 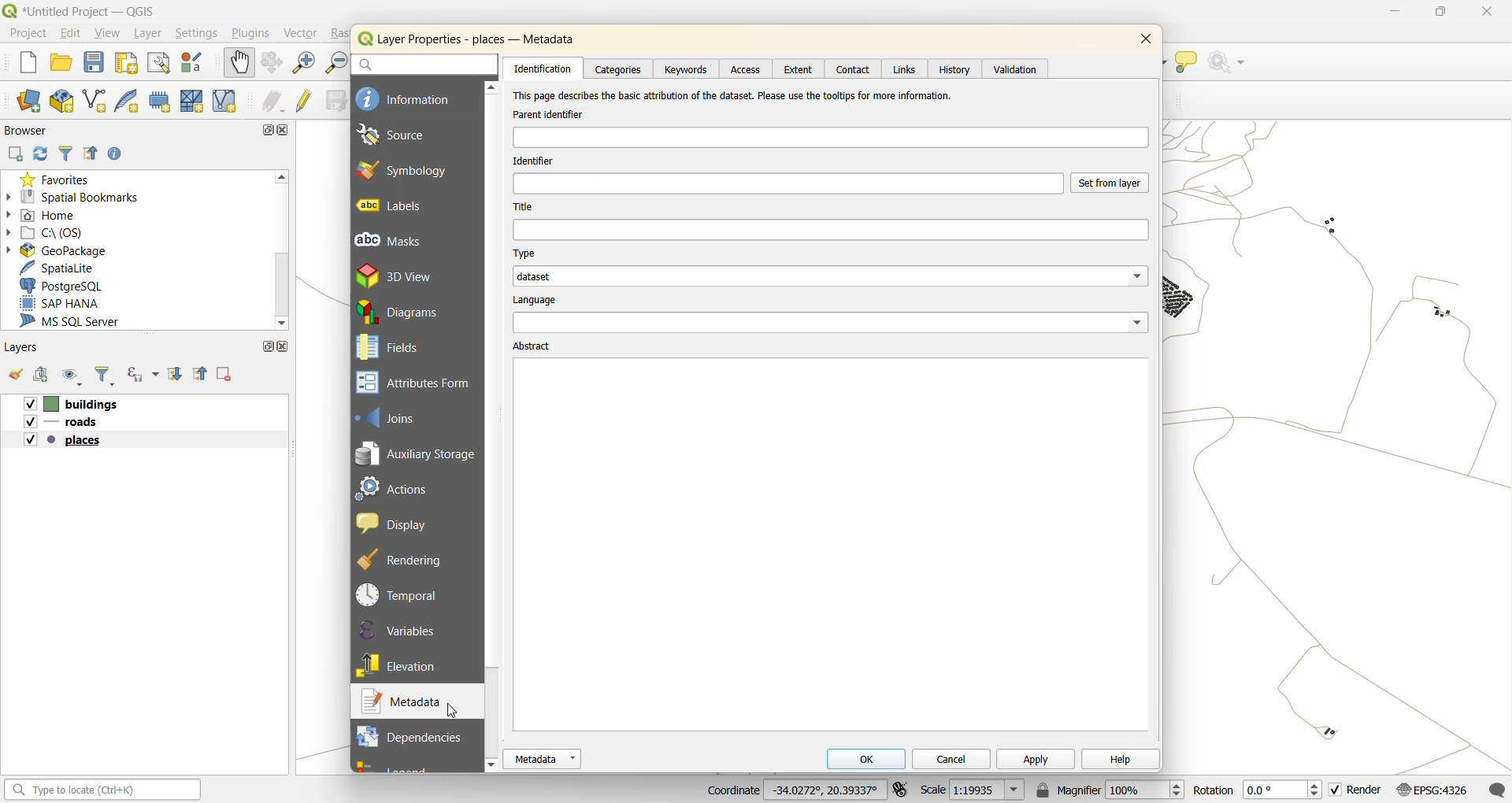 What do you see at coordinates (81, 197) in the screenshot?
I see `spatial bookmarks` at bounding box center [81, 197].